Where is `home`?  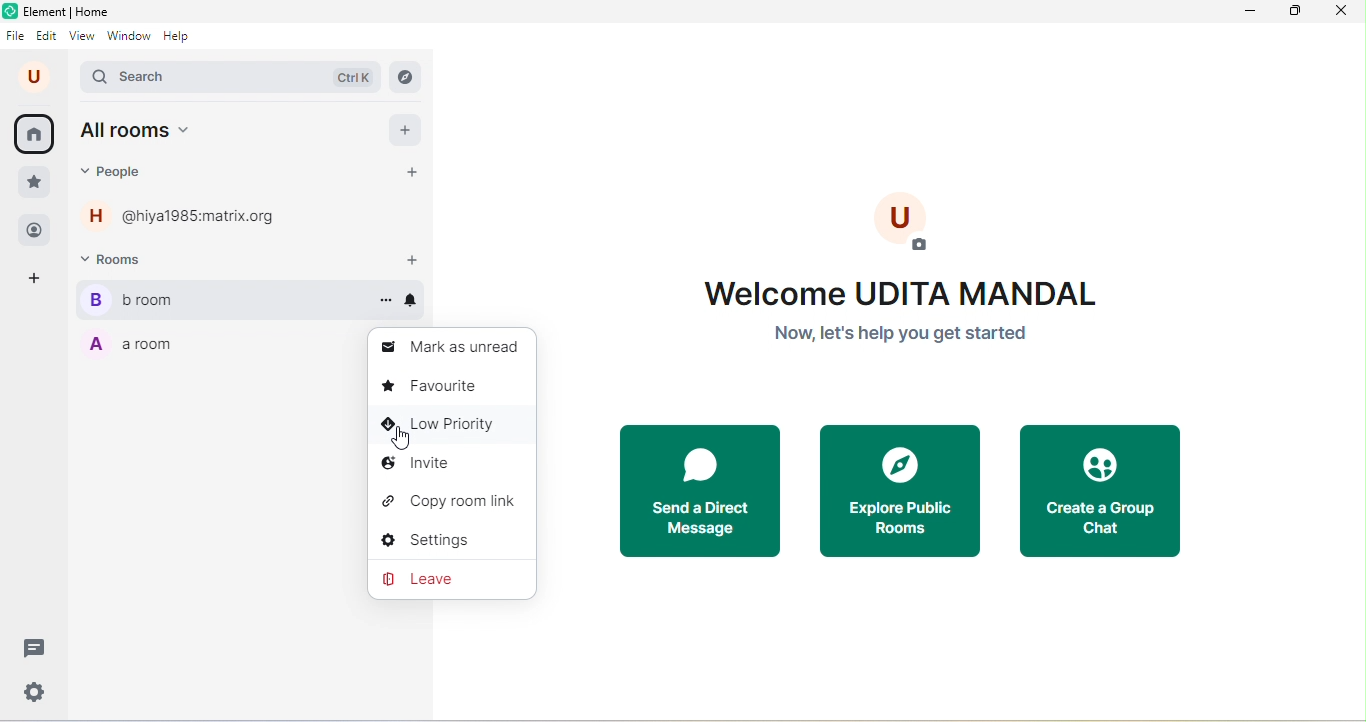 home is located at coordinates (33, 133).